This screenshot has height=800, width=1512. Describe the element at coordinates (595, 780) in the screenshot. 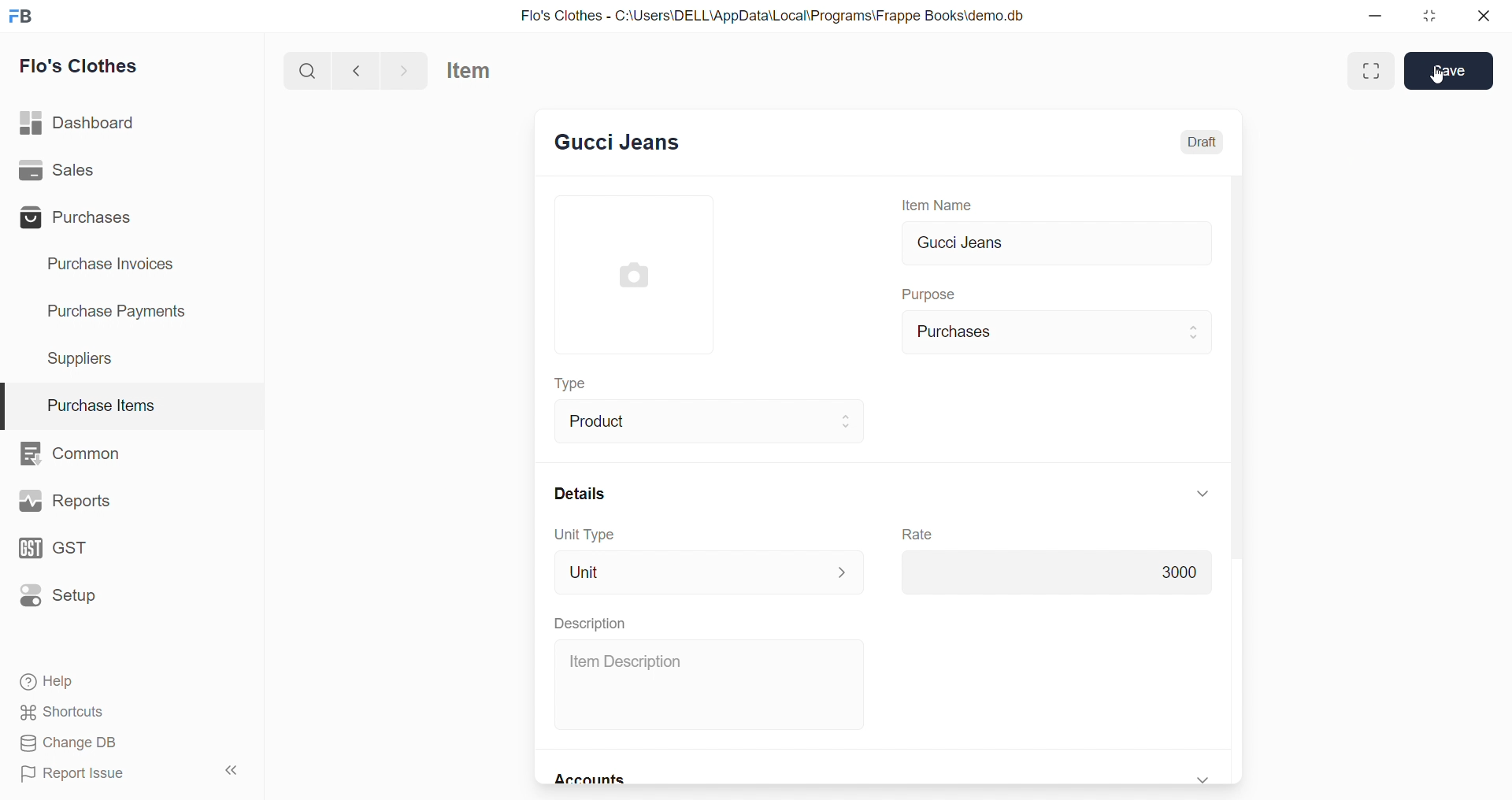

I see `Accounts` at that location.